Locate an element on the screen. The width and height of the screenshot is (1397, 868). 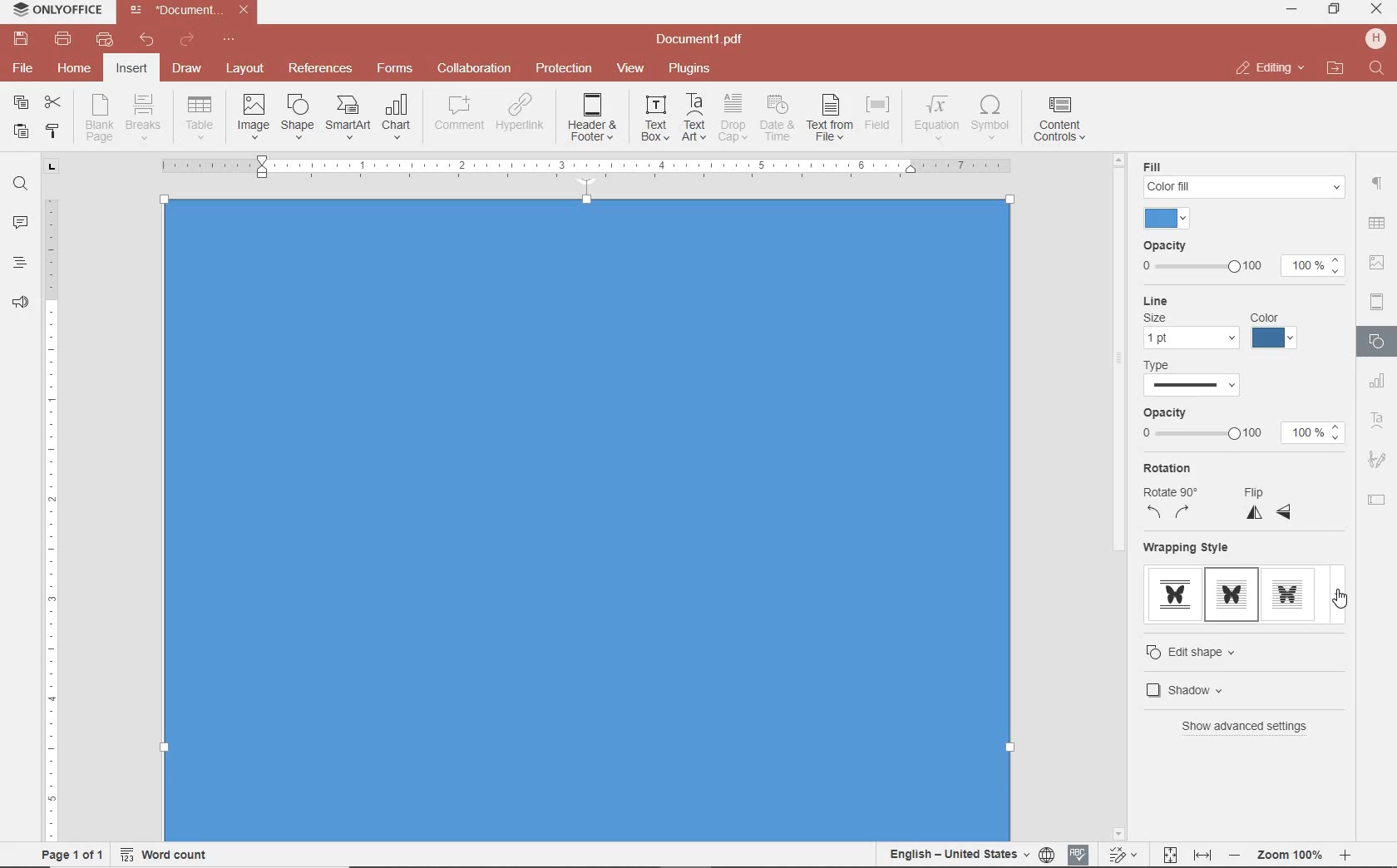
word count is located at coordinates (170, 855).